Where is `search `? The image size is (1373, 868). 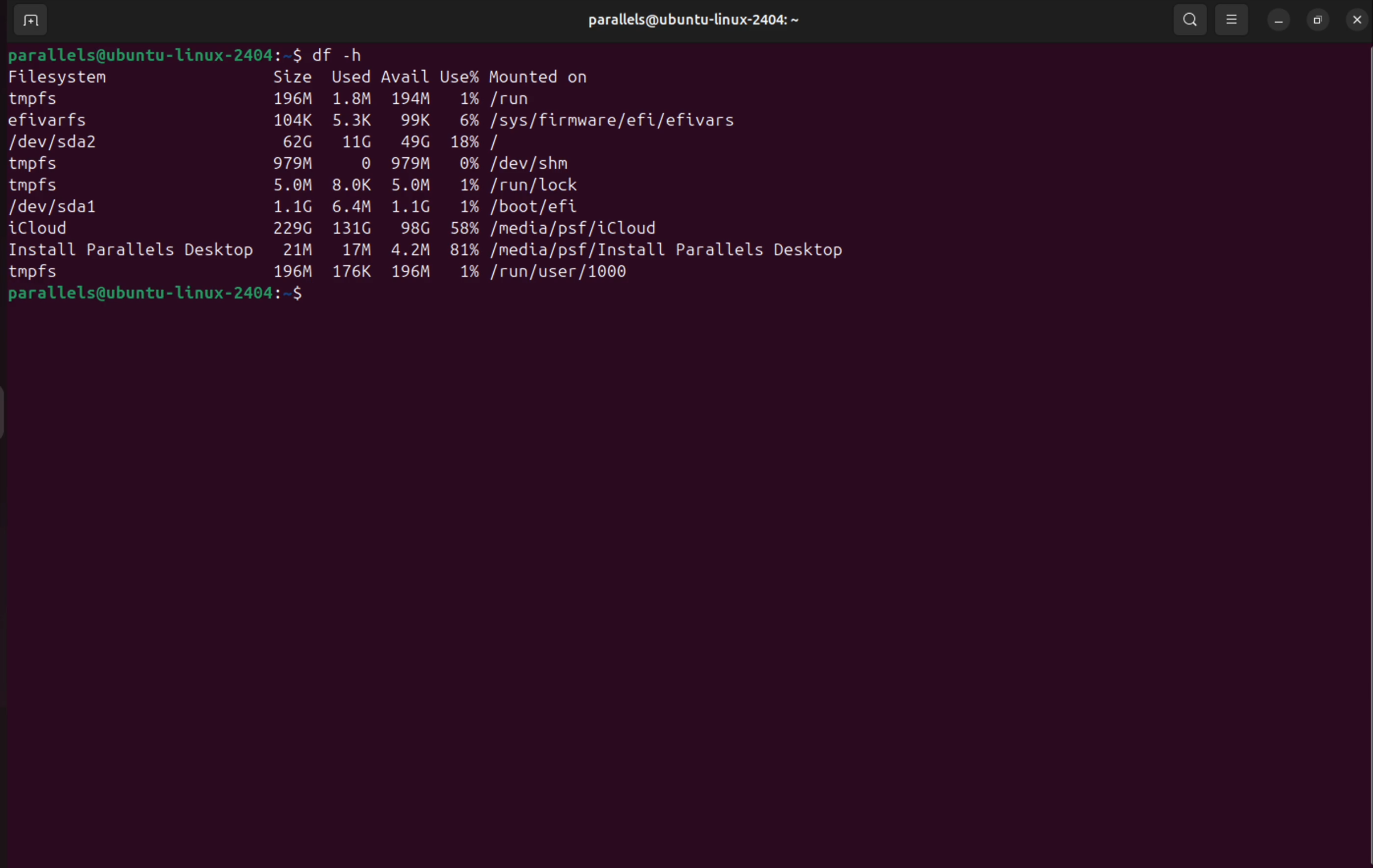
search  is located at coordinates (1189, 19).